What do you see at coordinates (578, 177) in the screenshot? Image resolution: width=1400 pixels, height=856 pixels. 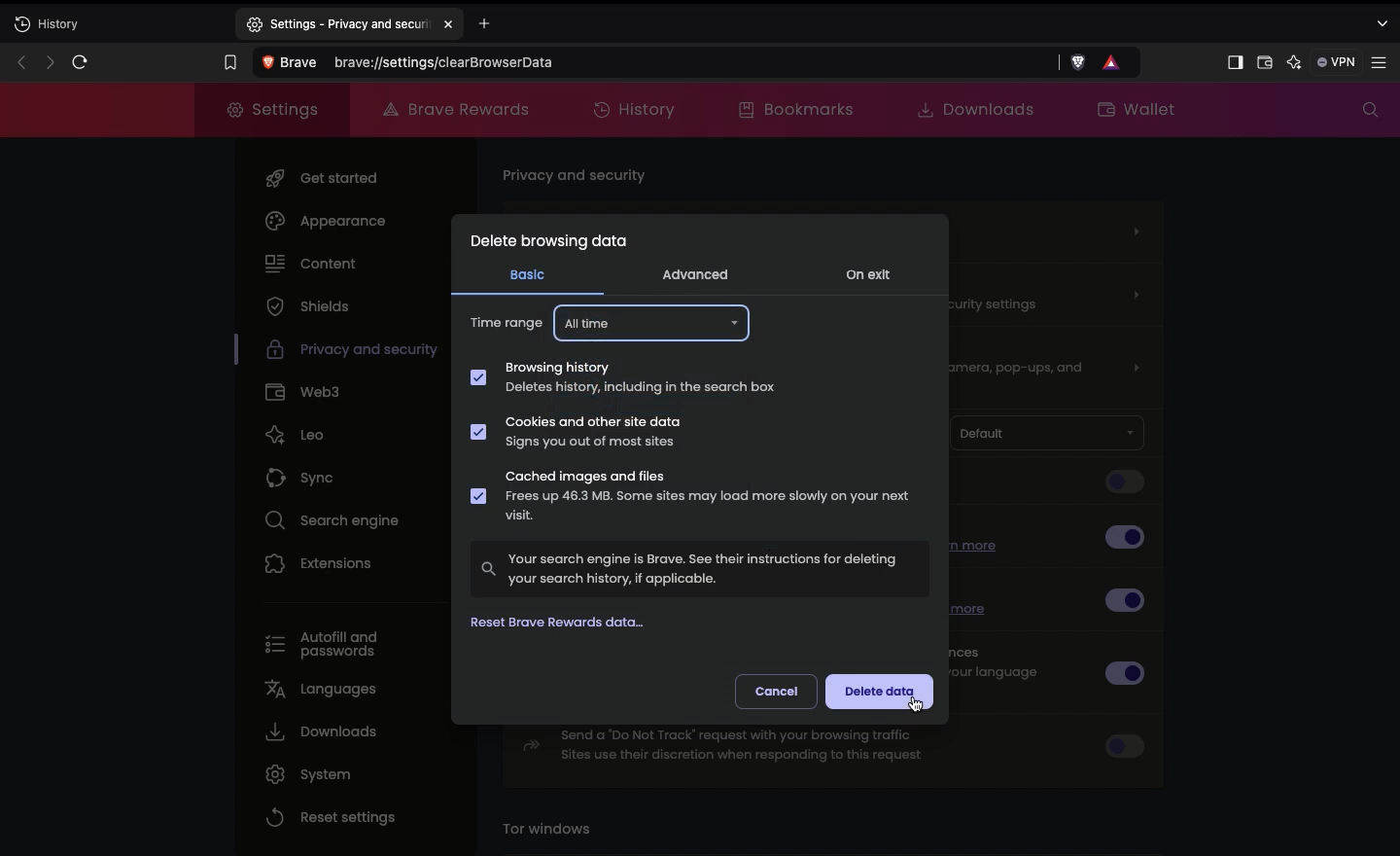 I see `Privacy and security` at bounding box center [578, 177].